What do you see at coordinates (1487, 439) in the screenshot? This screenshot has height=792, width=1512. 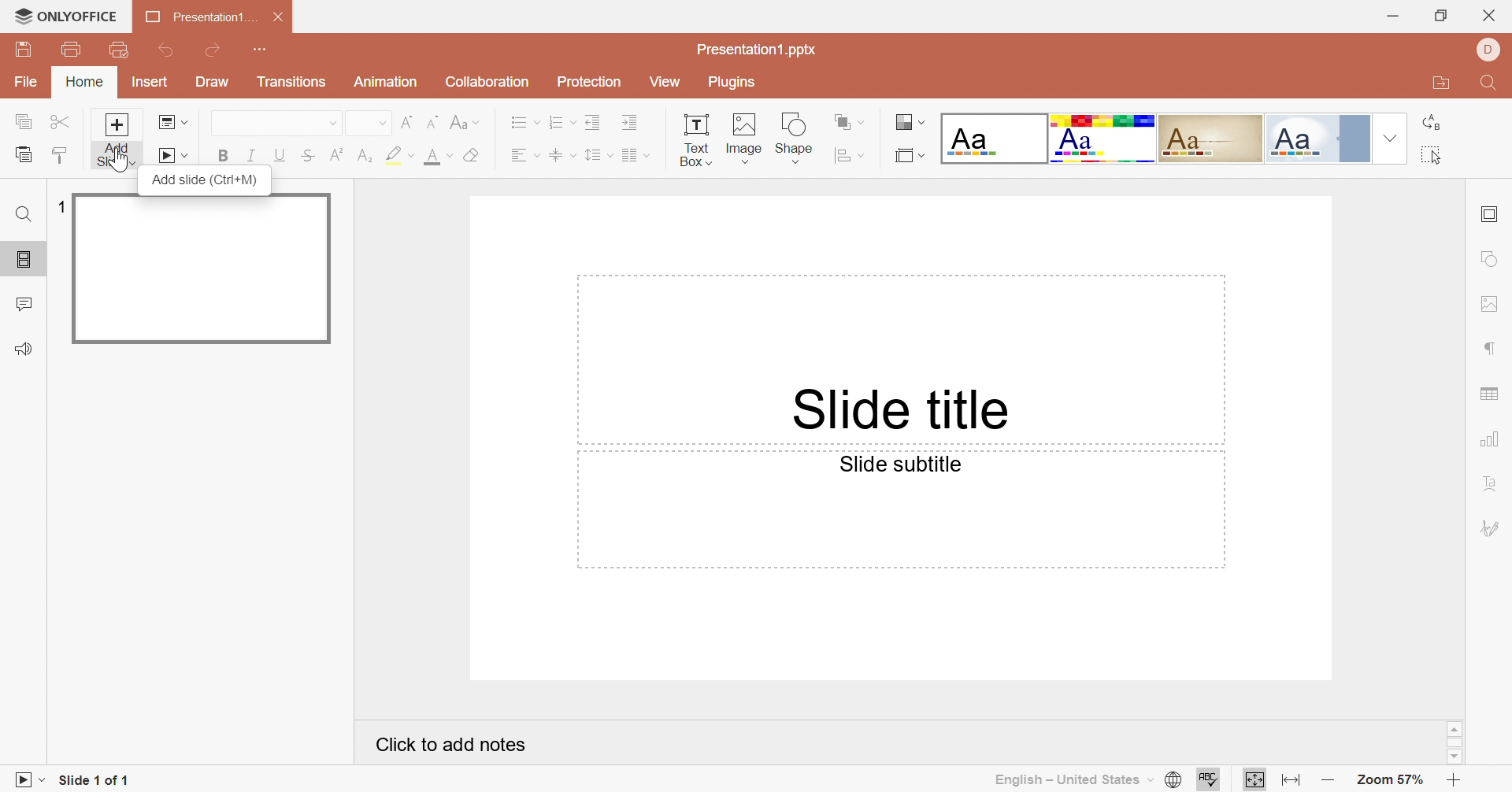 I see `Chart settings` at bounding box center [1487, 439].